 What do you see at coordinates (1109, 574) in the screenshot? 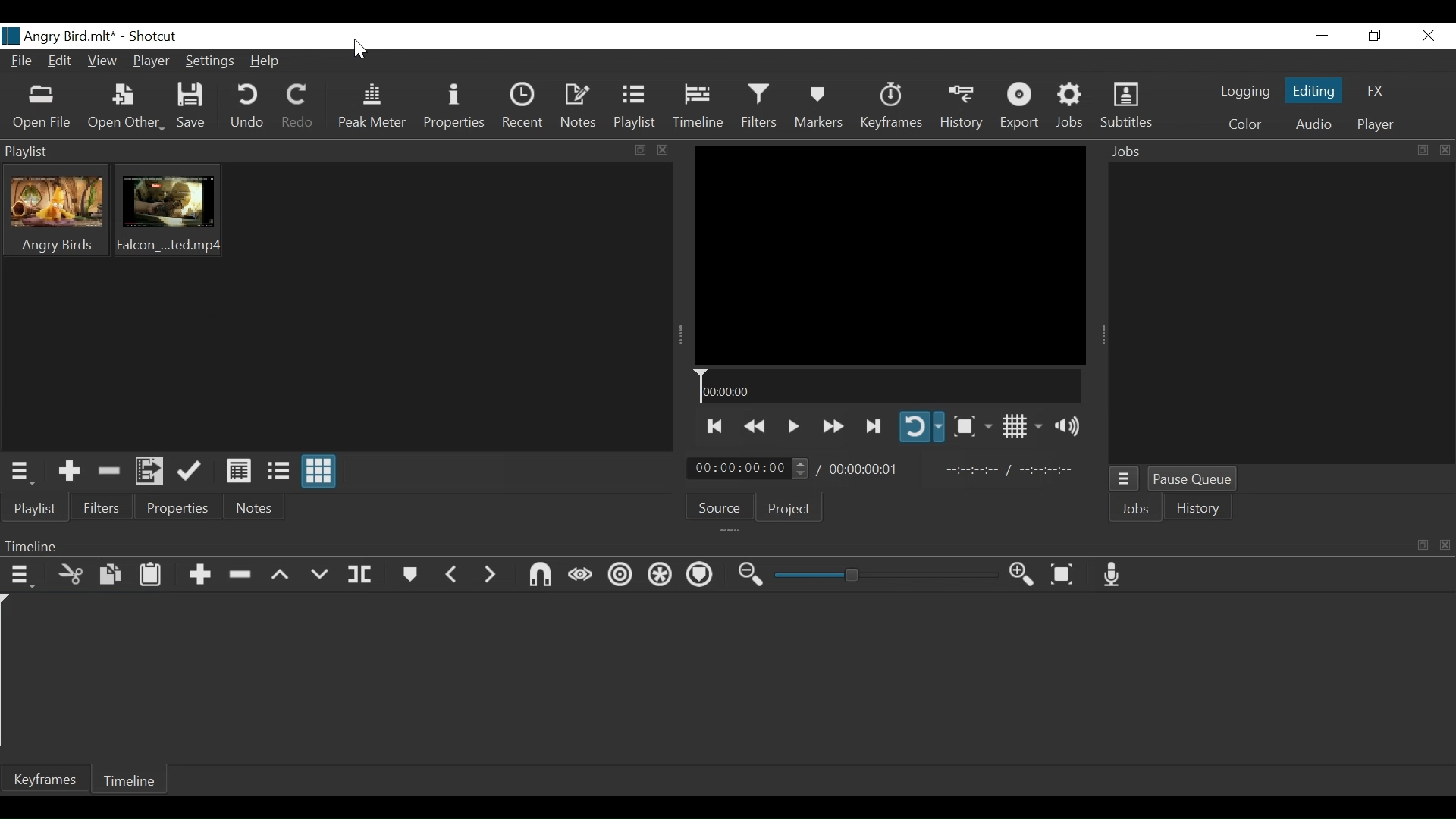
I see `Record audio` at bounding box center [1109, 574].